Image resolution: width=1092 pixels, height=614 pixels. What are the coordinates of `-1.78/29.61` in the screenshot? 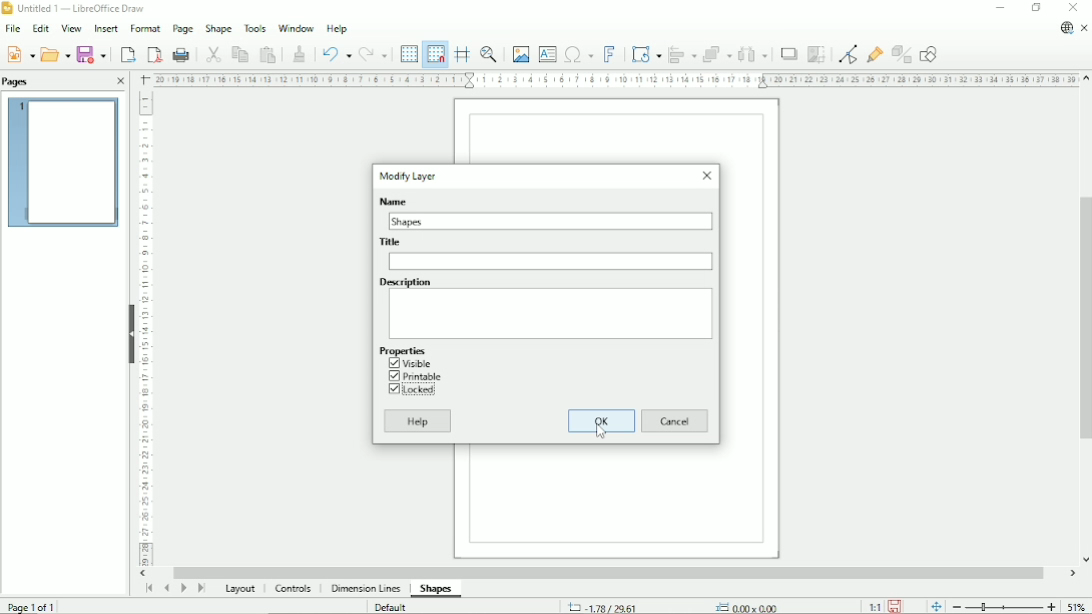 It's located at (612, 606).